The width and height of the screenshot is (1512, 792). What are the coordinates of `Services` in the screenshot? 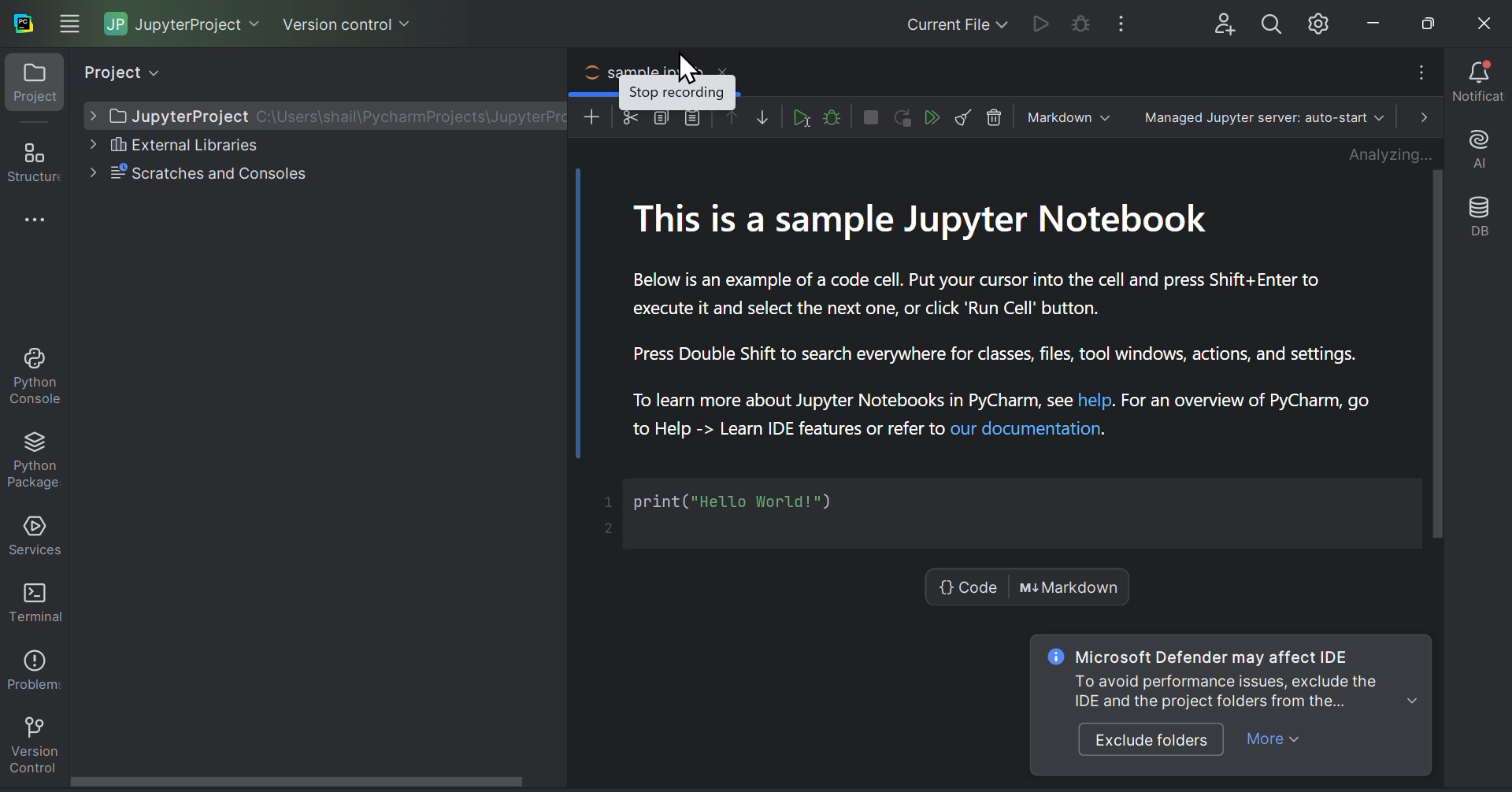 It's located at (33, 532).